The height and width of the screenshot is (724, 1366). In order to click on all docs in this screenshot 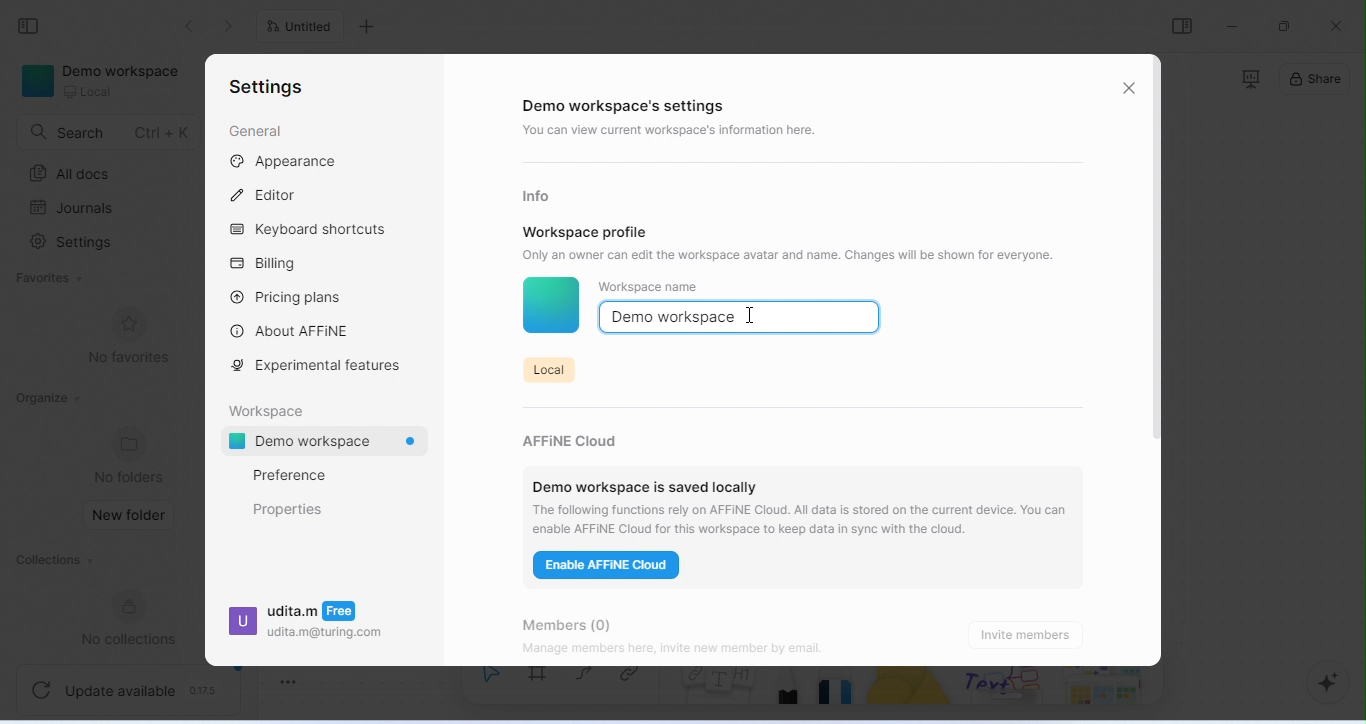, I will do `click(75, 174)`.